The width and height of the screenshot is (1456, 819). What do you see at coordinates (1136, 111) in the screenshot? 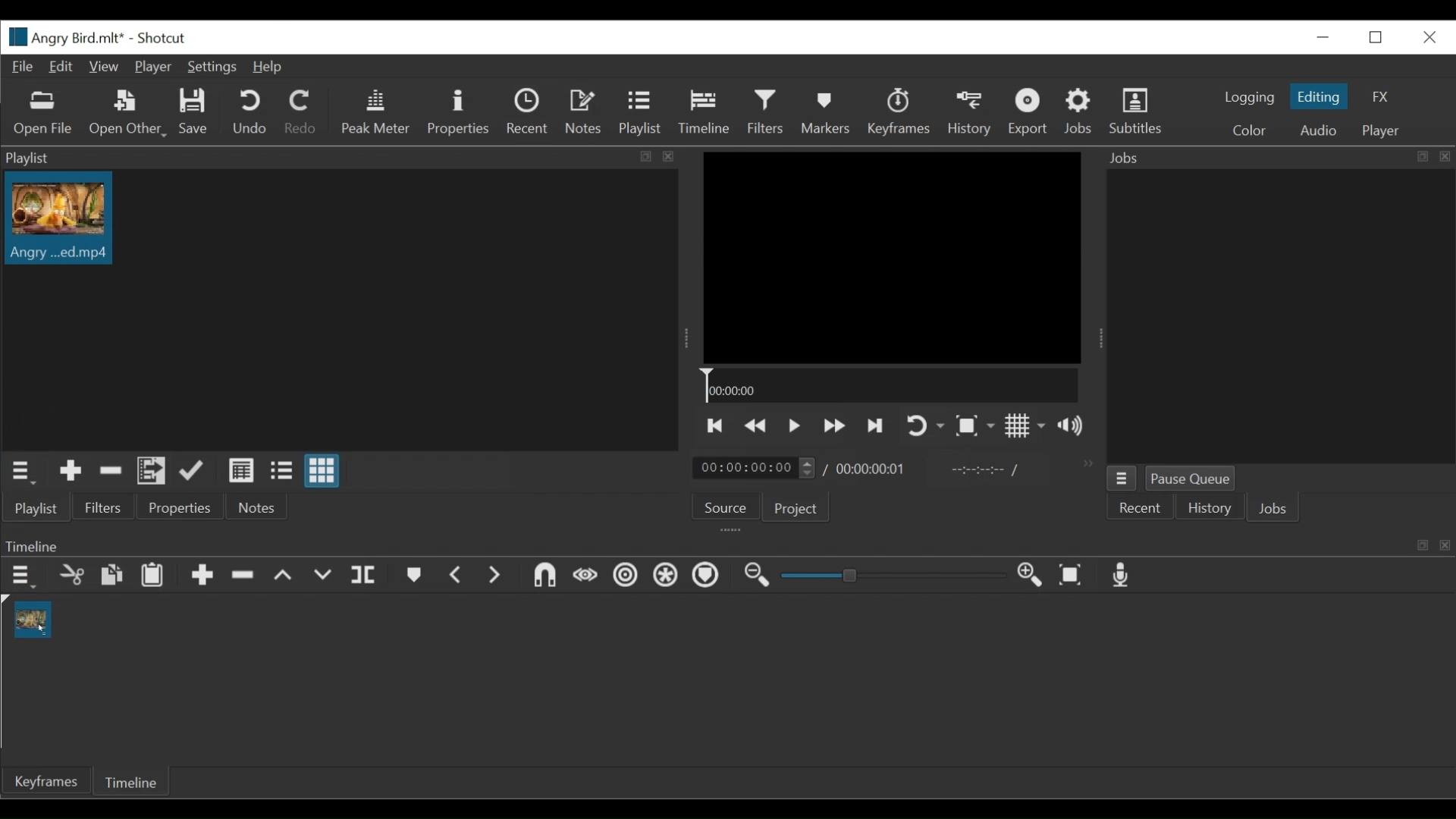
I see `Subtitles` at bounding box center [1136, 111].